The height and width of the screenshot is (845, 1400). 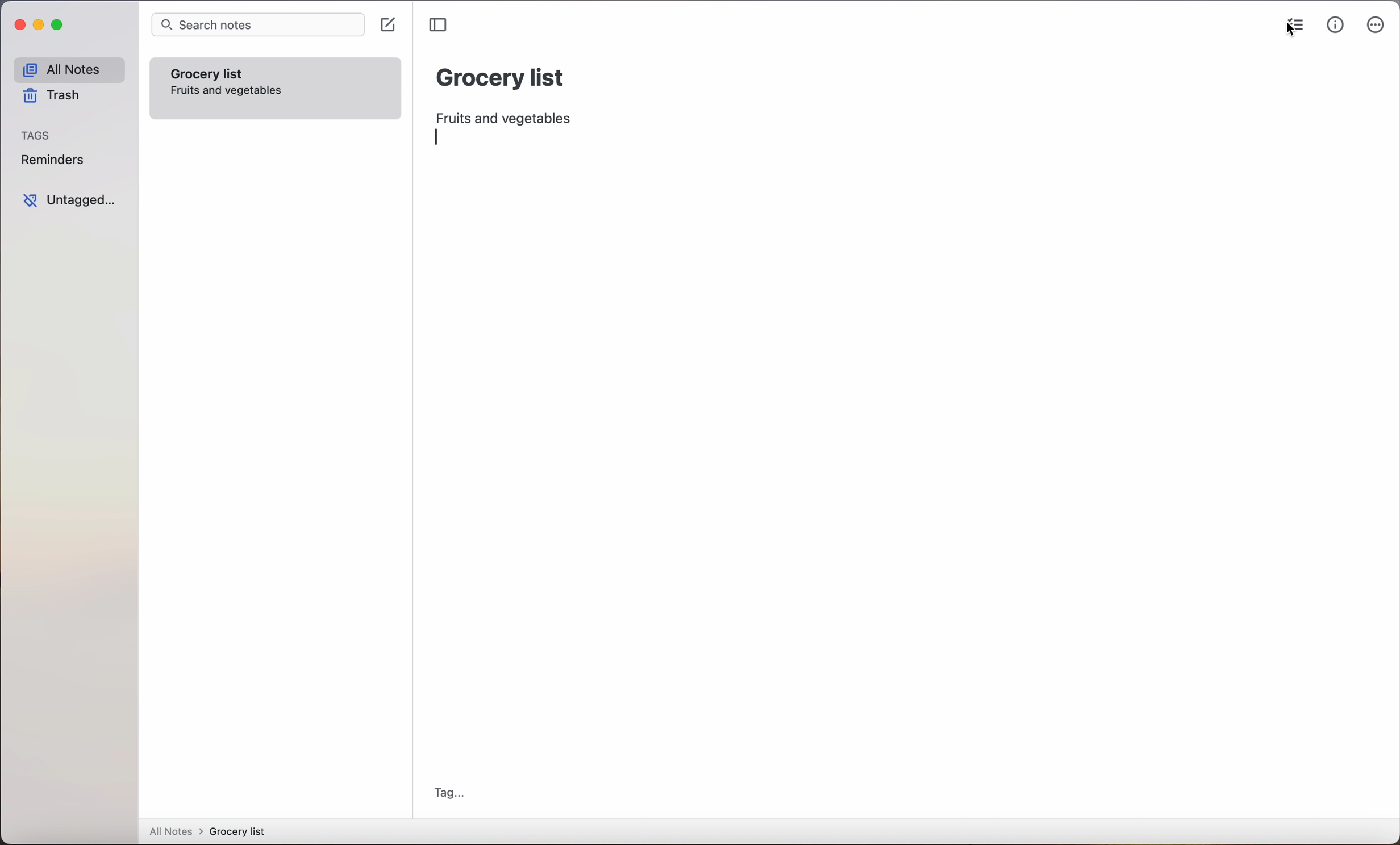 I want to click on tags, so click(x=37, y=136).